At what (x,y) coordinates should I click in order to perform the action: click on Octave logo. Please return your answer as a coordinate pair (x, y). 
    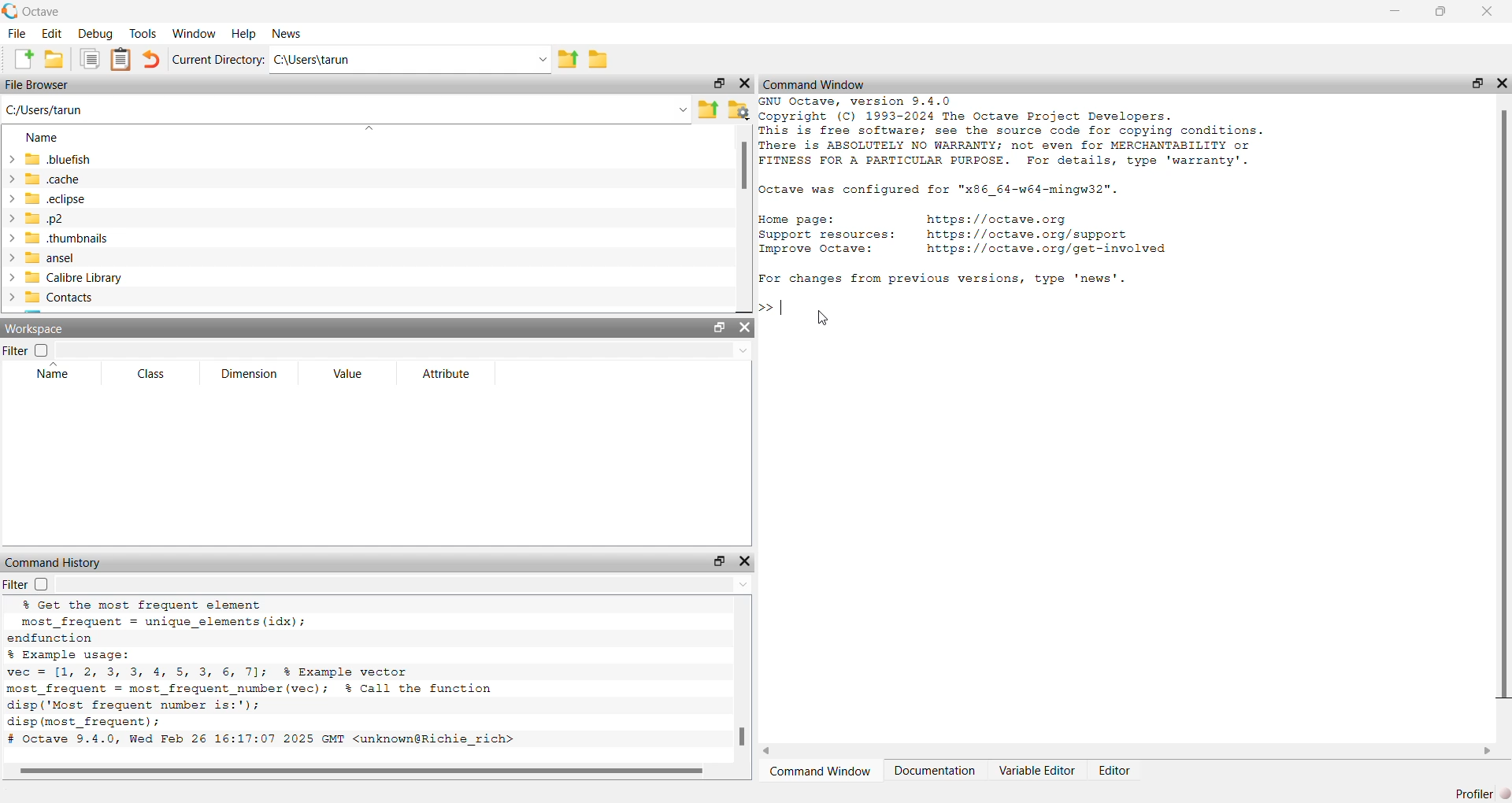
    Looking at the image, I should click on (10, 11).